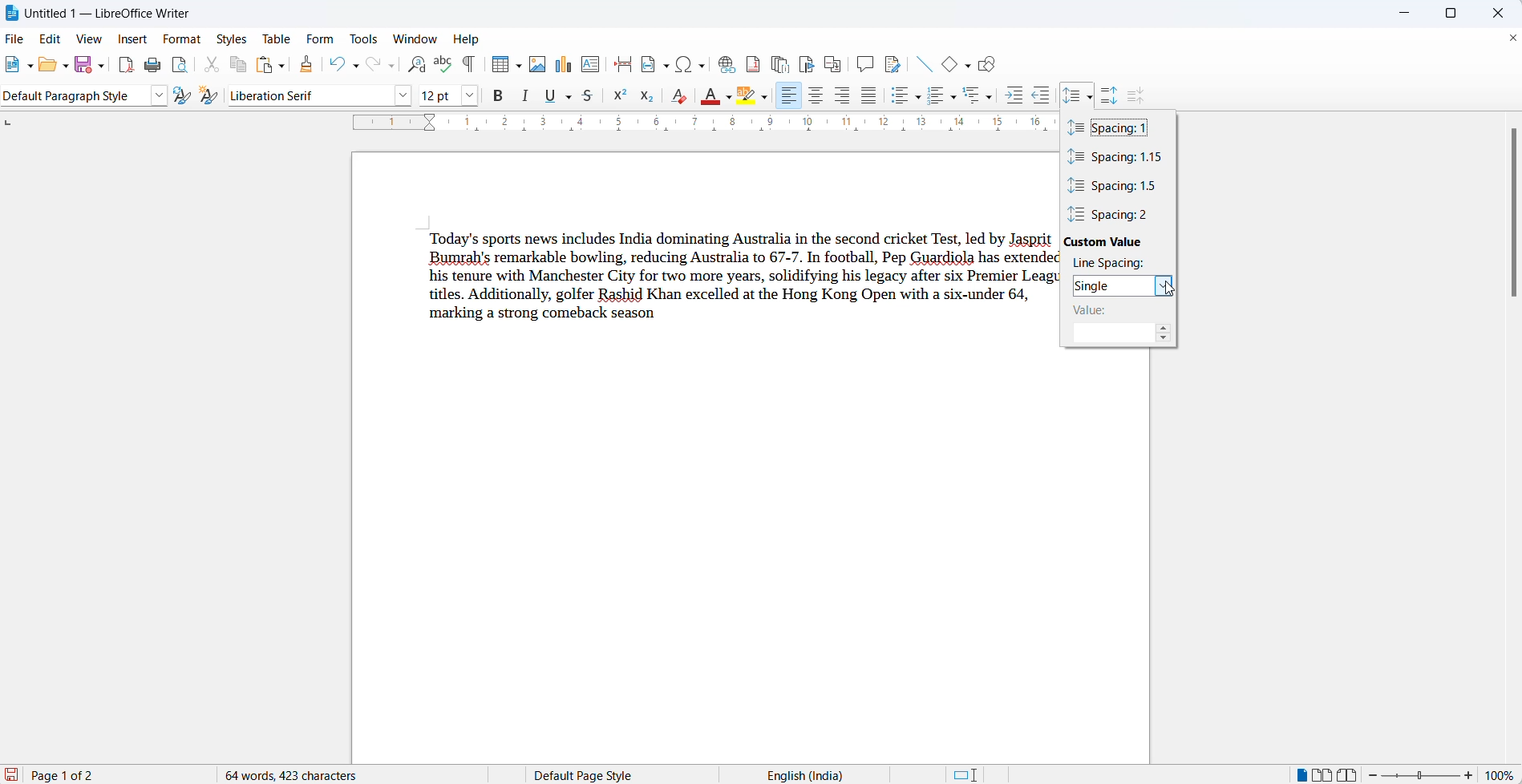  I want to click on save, so click(80, 66).